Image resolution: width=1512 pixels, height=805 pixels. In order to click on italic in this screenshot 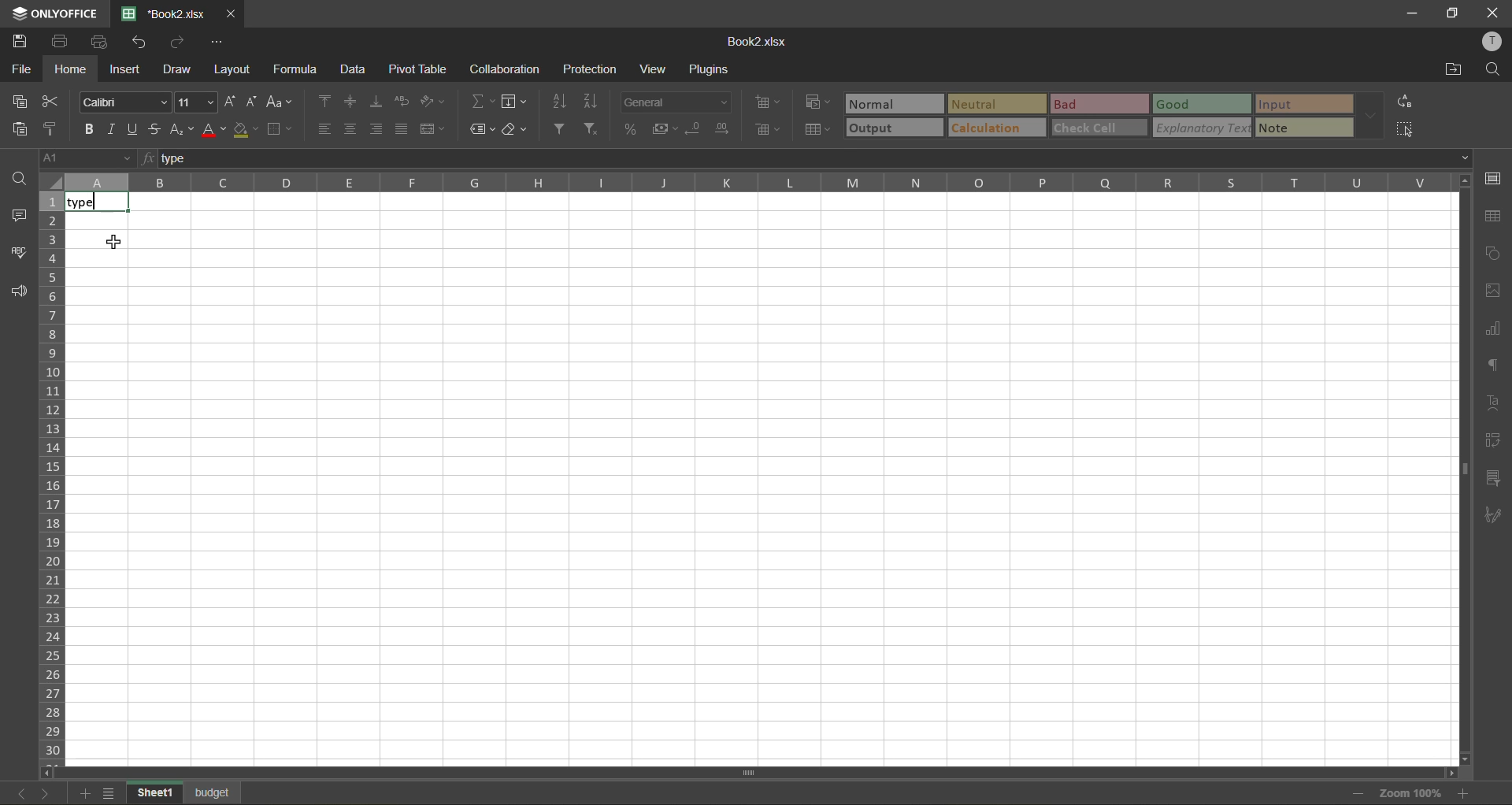, I will do `click(113, 126)`.